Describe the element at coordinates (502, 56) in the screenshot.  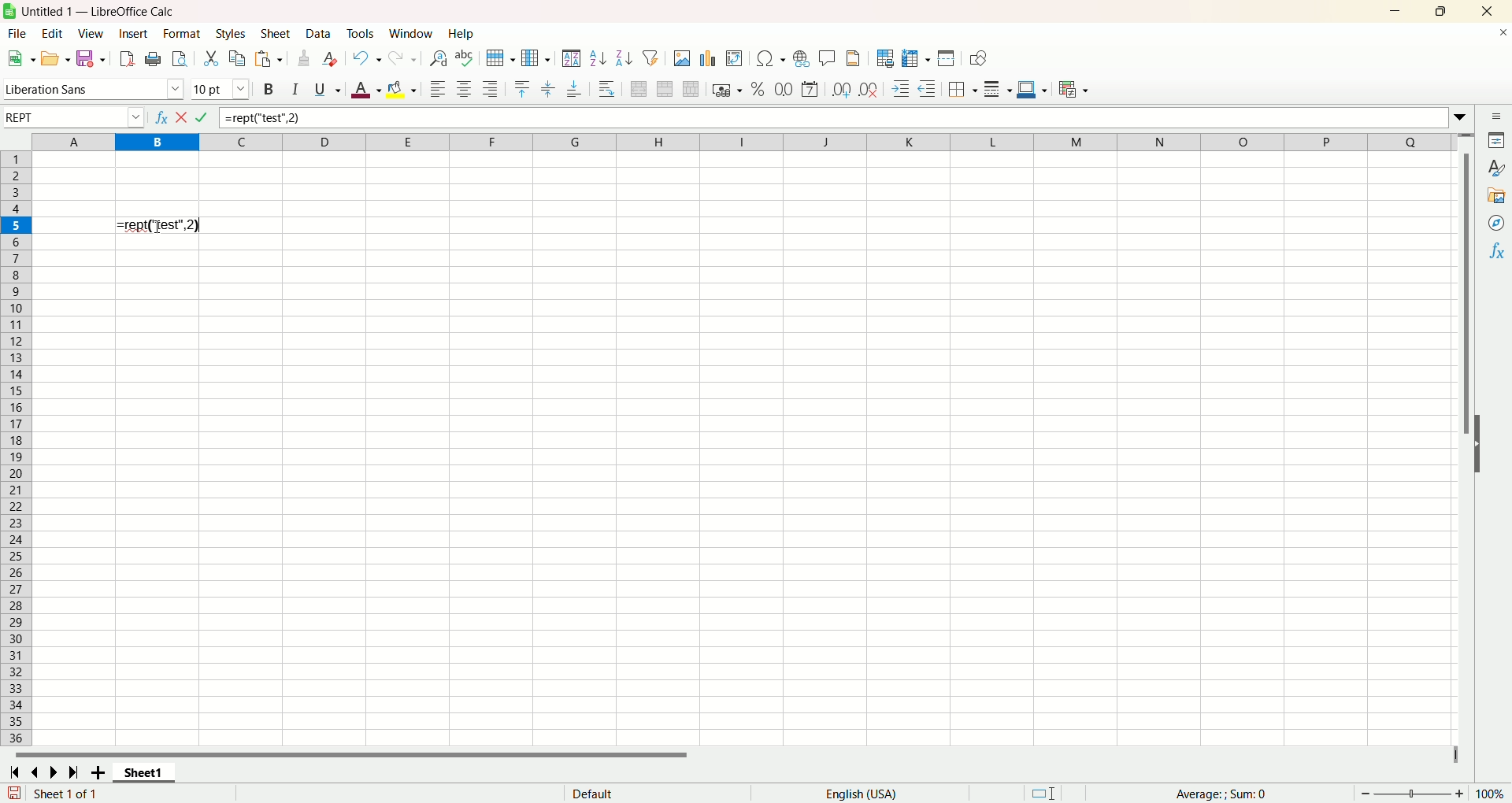
I see `row` at that location.